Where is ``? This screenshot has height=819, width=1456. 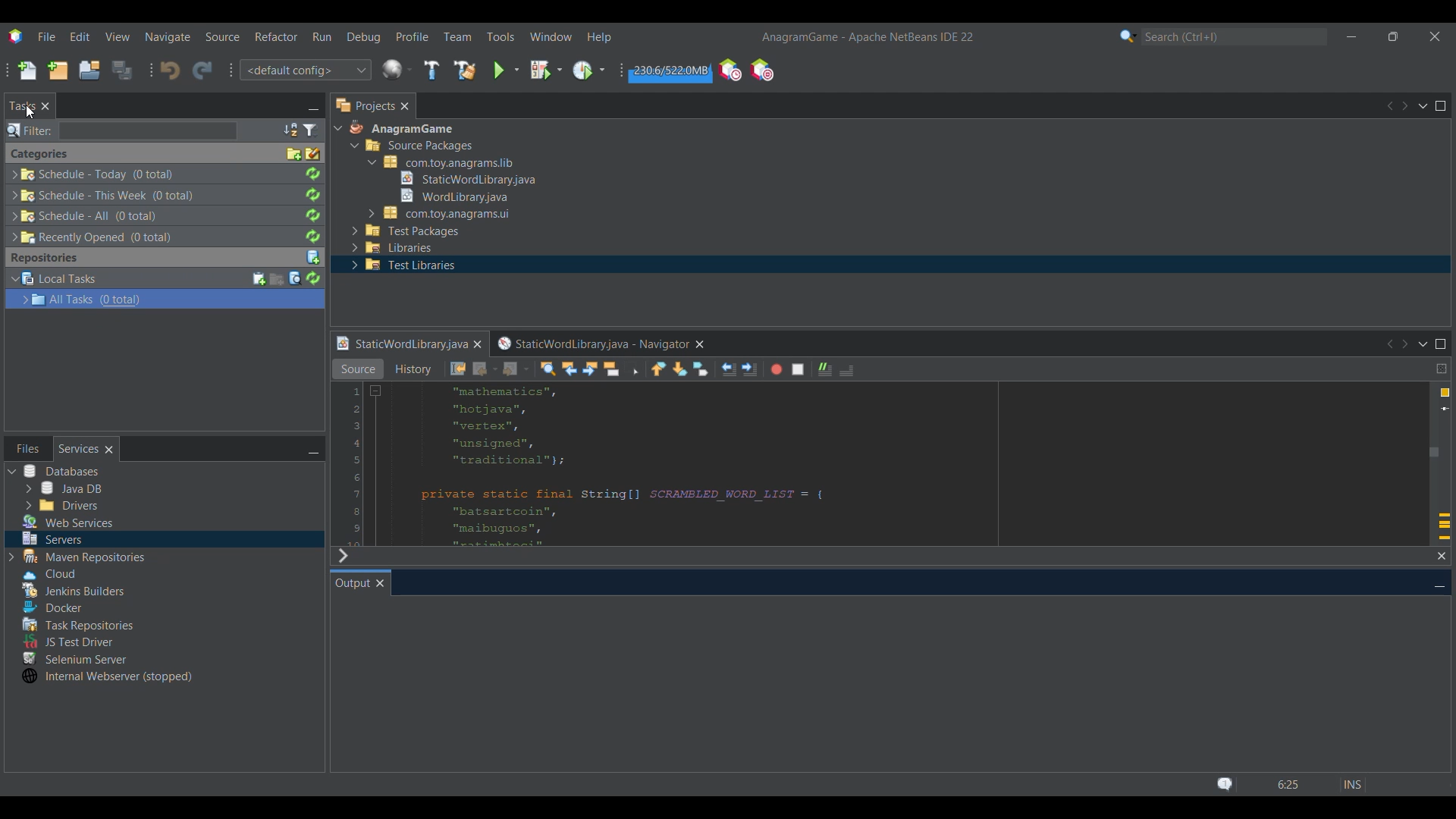
 is located at coordinates (461, 177).